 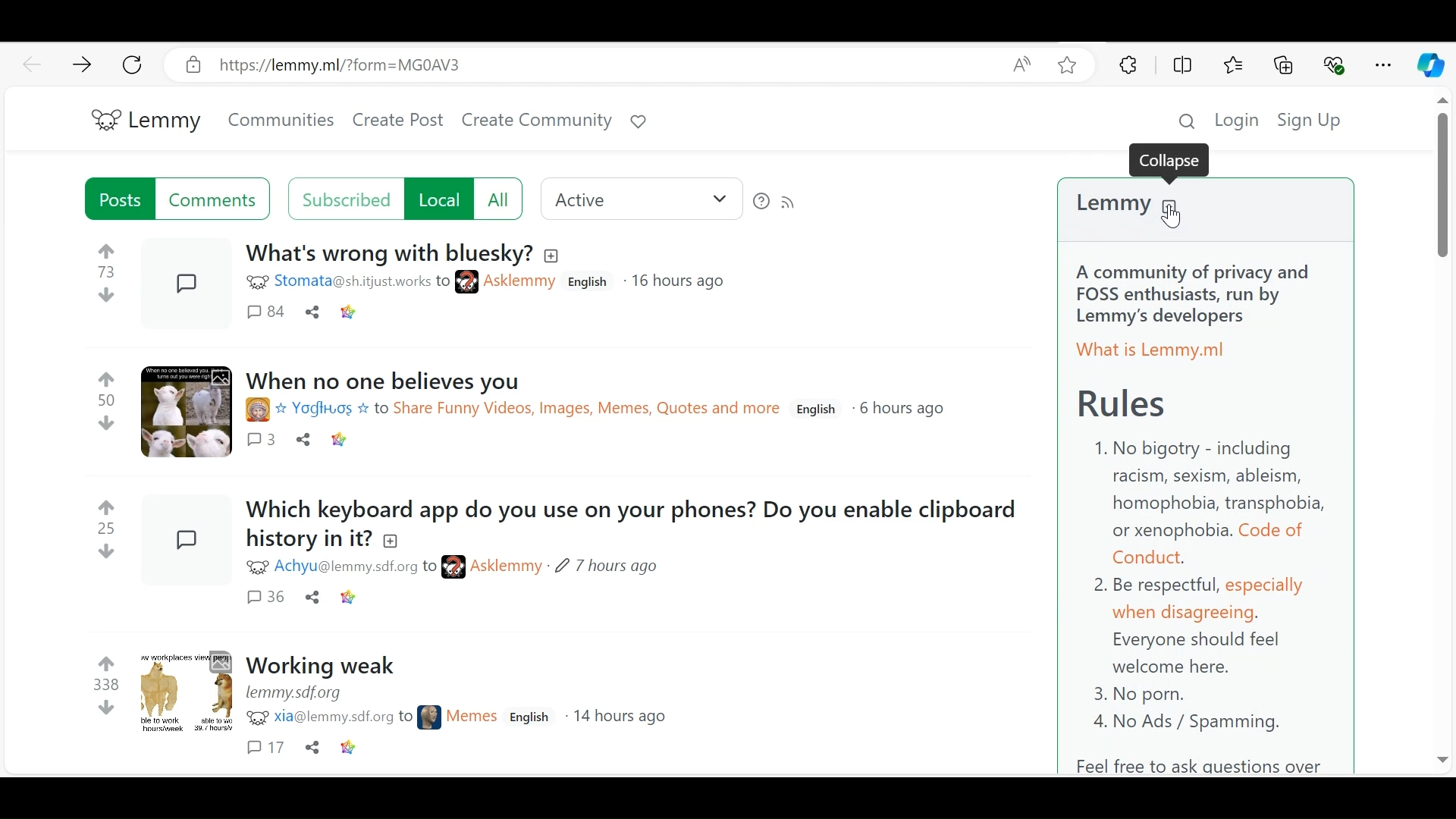 What do you see at coordinates (256, 283) in the screenshot?
I see `icon` at bounding box center [256, 283].